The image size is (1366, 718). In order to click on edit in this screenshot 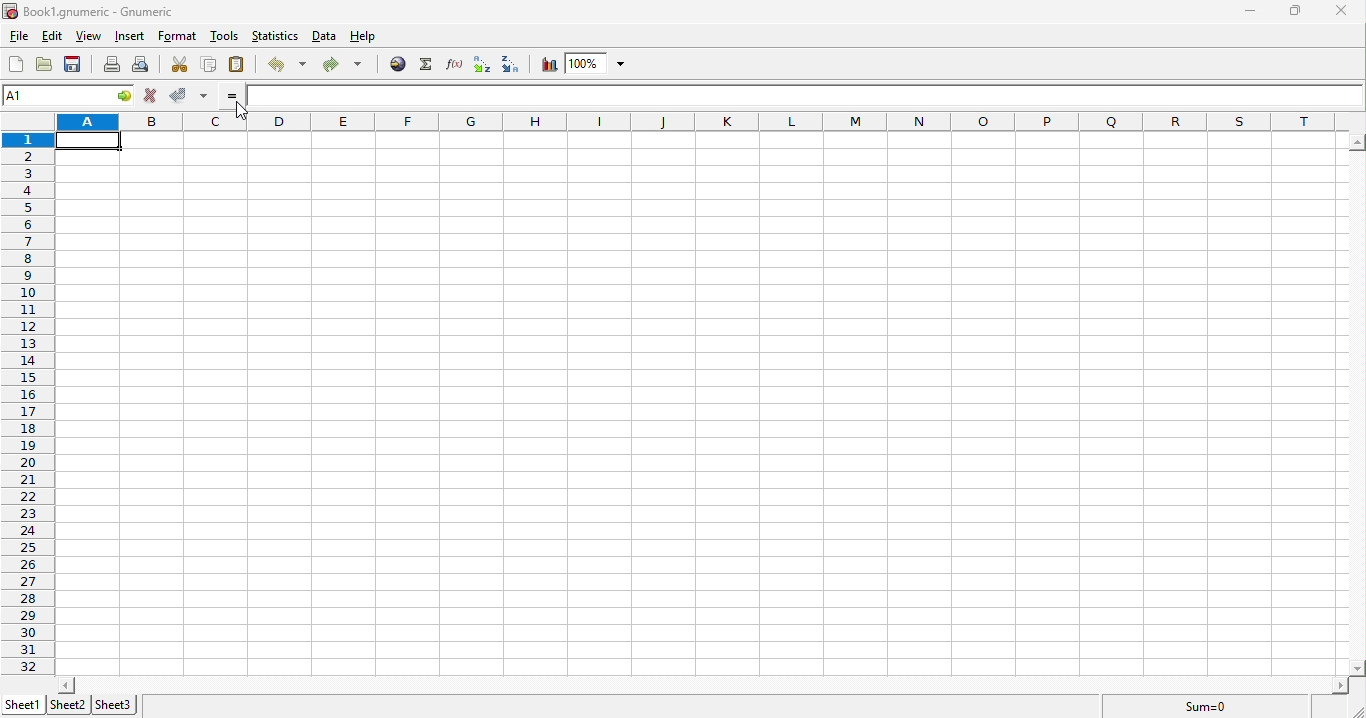, I will do `click(52, 34)`.